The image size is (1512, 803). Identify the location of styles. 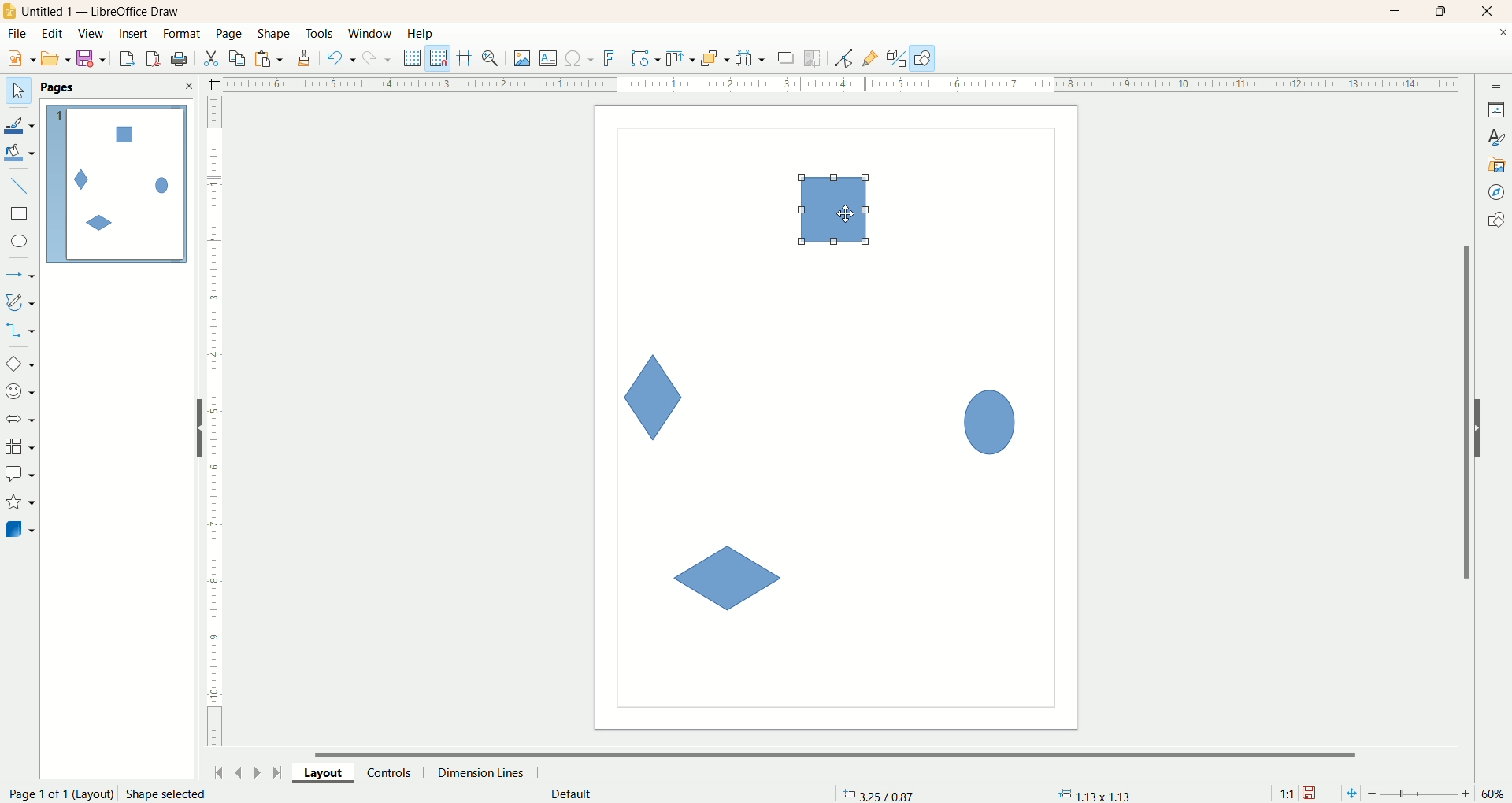
(1496, 135).